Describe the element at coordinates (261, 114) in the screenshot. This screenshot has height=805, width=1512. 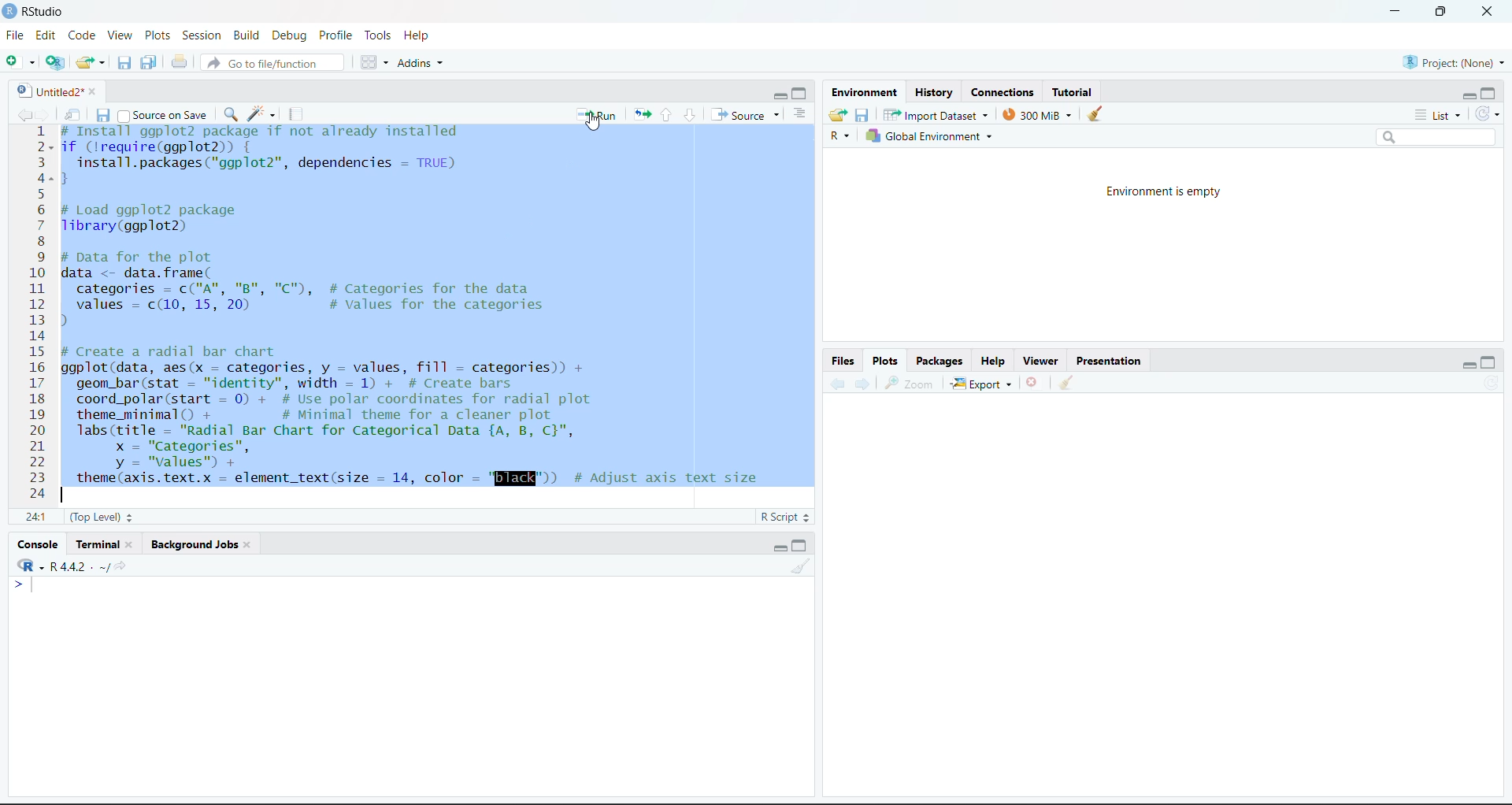
I see `code tools` at that location.